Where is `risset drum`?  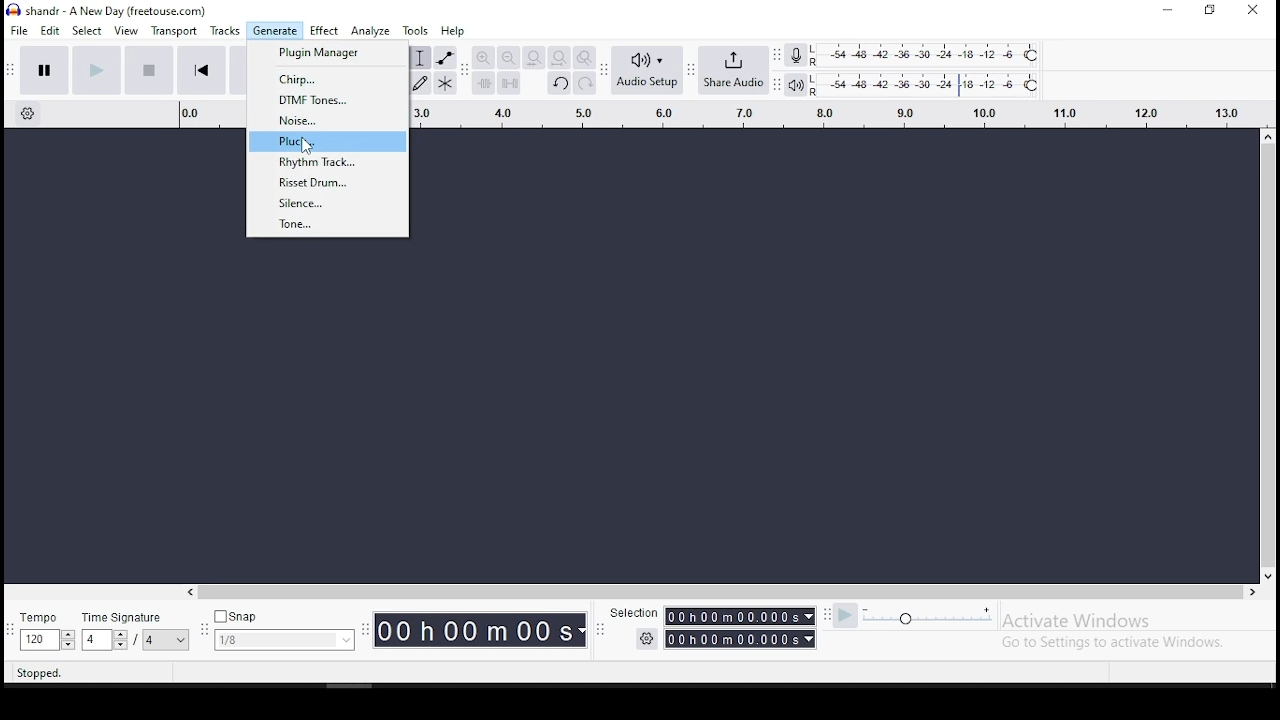
risset drum is located at coordinates (332, 183).